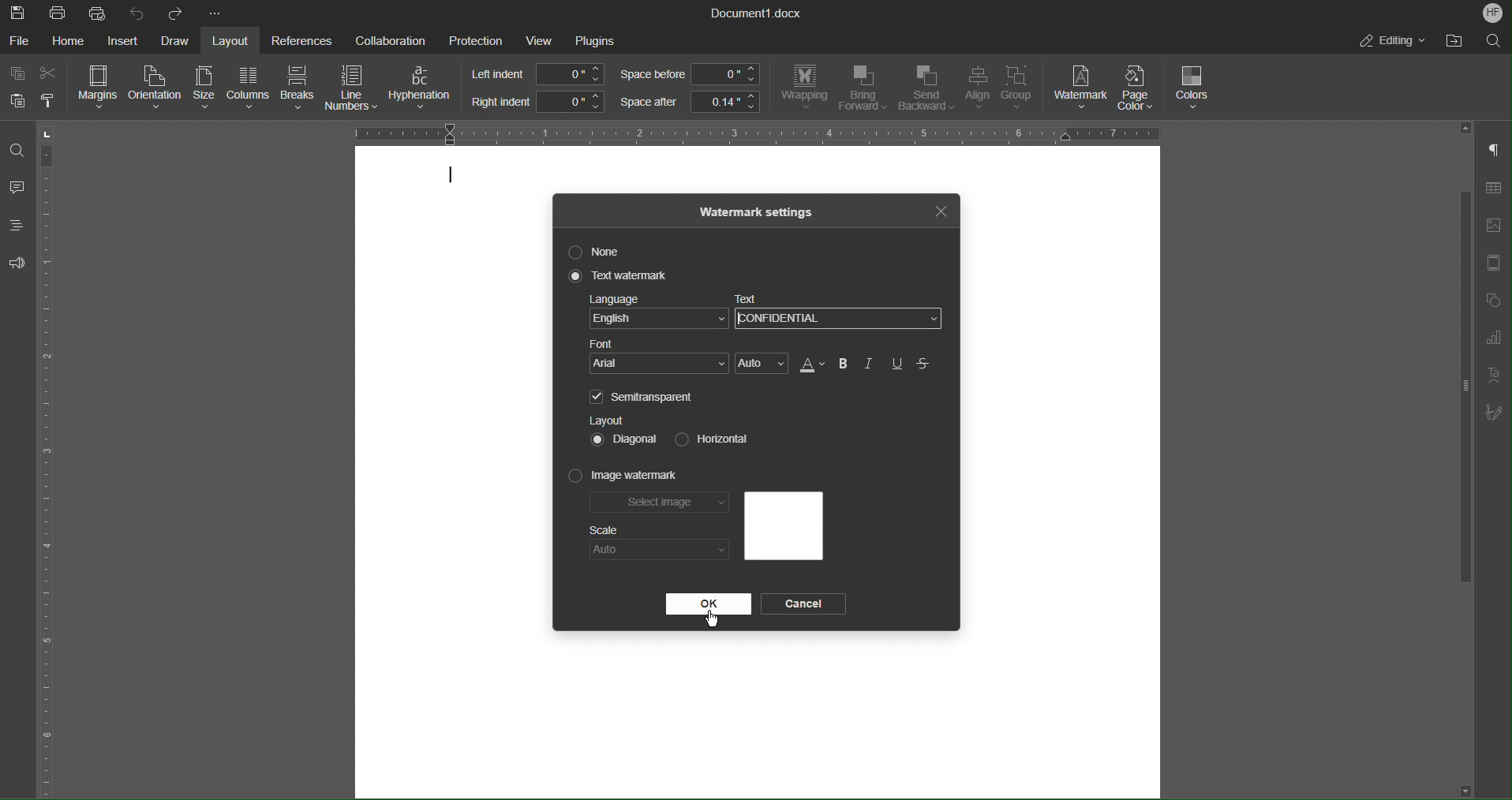 Image resolution: width=1512 pixels, height=800 pixels. I want to click on File, so click(21, 40).